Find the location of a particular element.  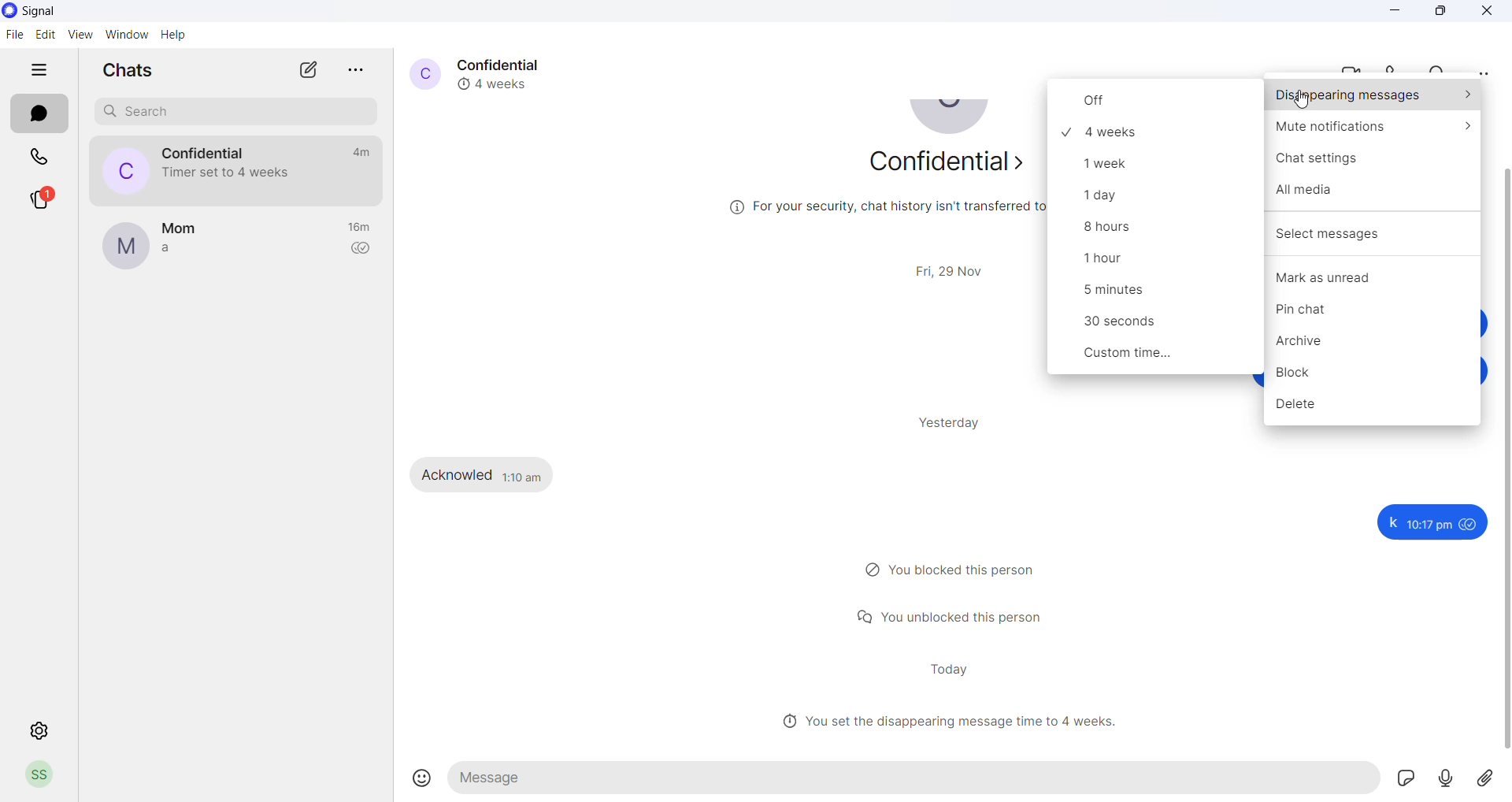

calls is located at coordinates (39, 157).